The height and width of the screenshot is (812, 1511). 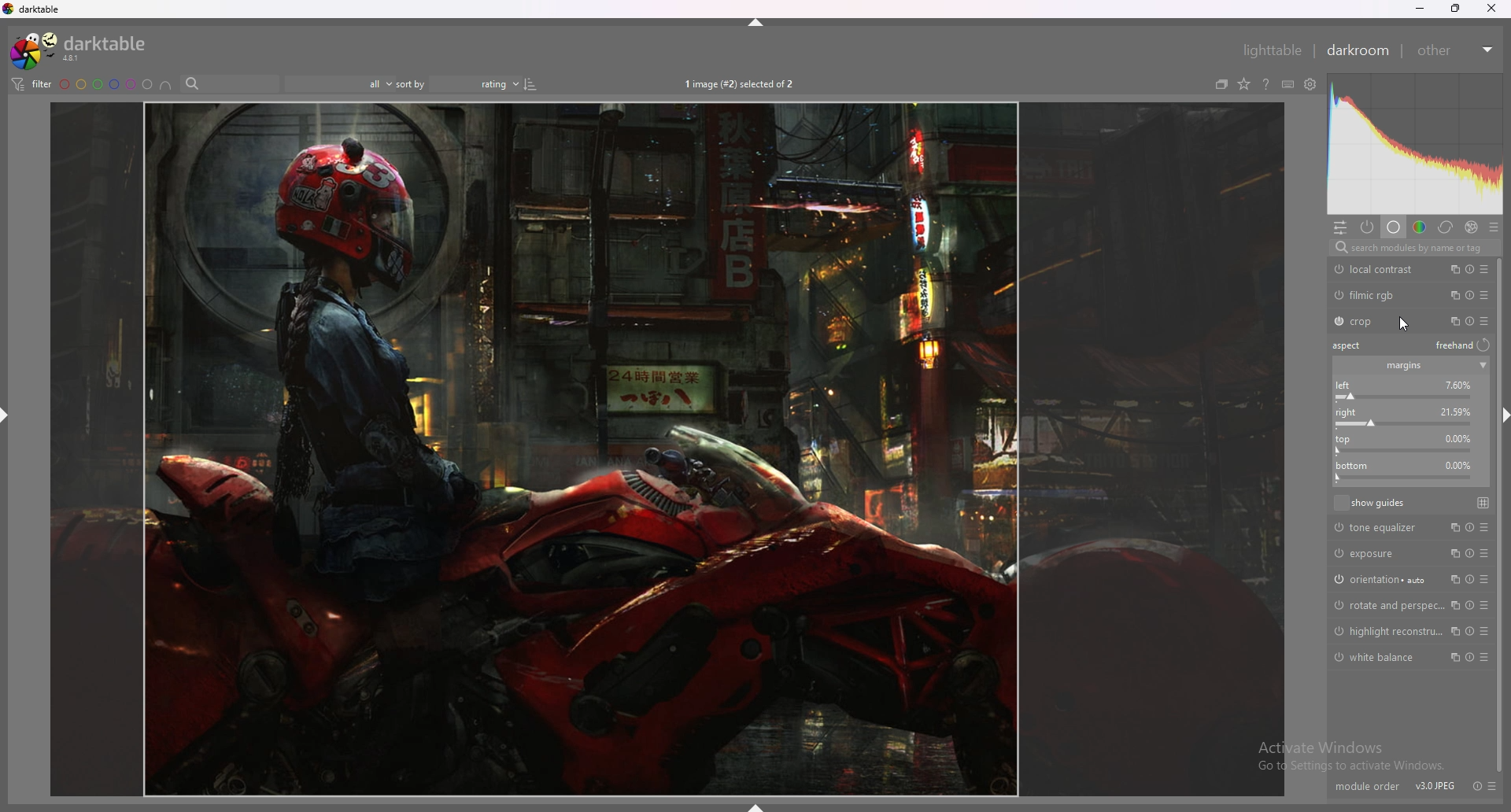 What do you see at coordinates (1405, 322) in the screenshot?
I see `cursor` at bounding box center [1405, 322].